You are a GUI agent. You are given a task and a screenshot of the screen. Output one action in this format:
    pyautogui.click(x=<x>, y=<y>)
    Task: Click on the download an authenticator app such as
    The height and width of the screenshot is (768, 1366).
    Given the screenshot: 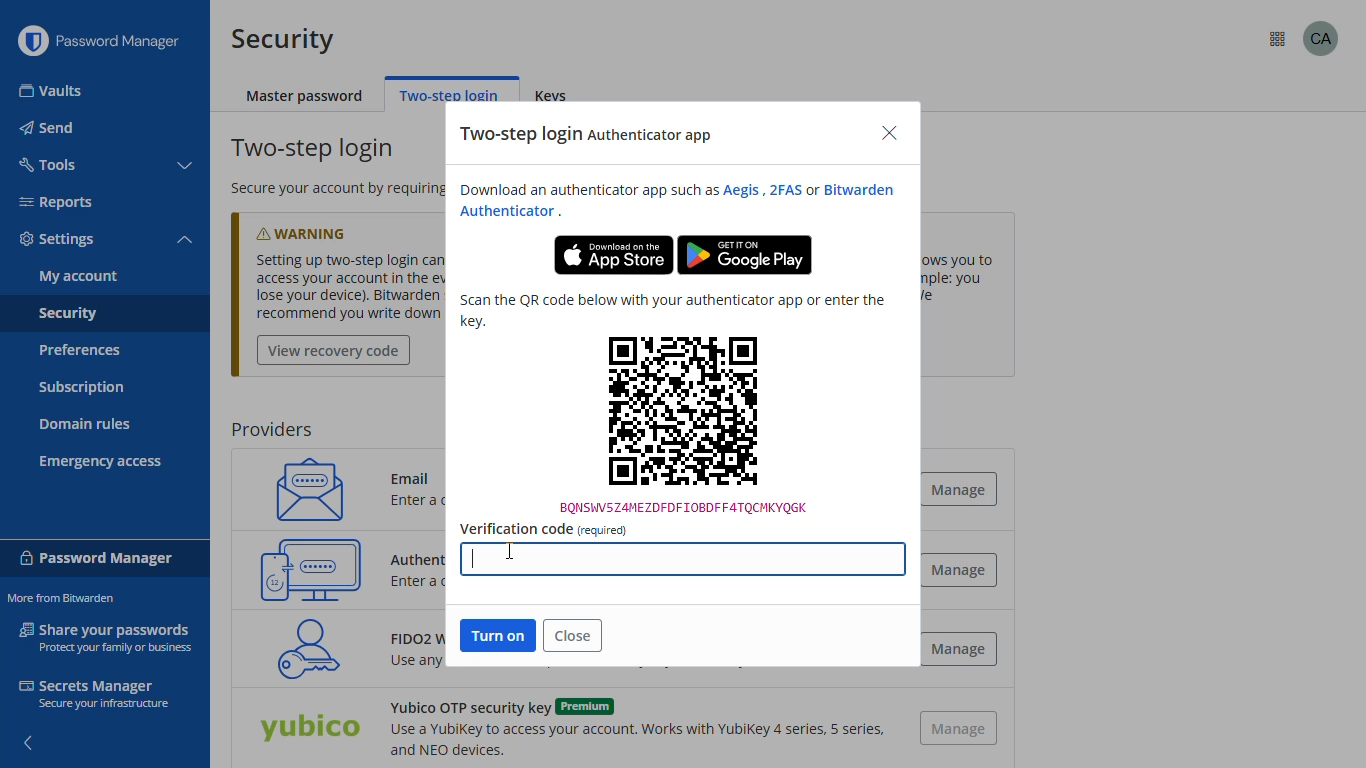 What is the action you would take?
    pyautogui.click(x=584, y=190)
    